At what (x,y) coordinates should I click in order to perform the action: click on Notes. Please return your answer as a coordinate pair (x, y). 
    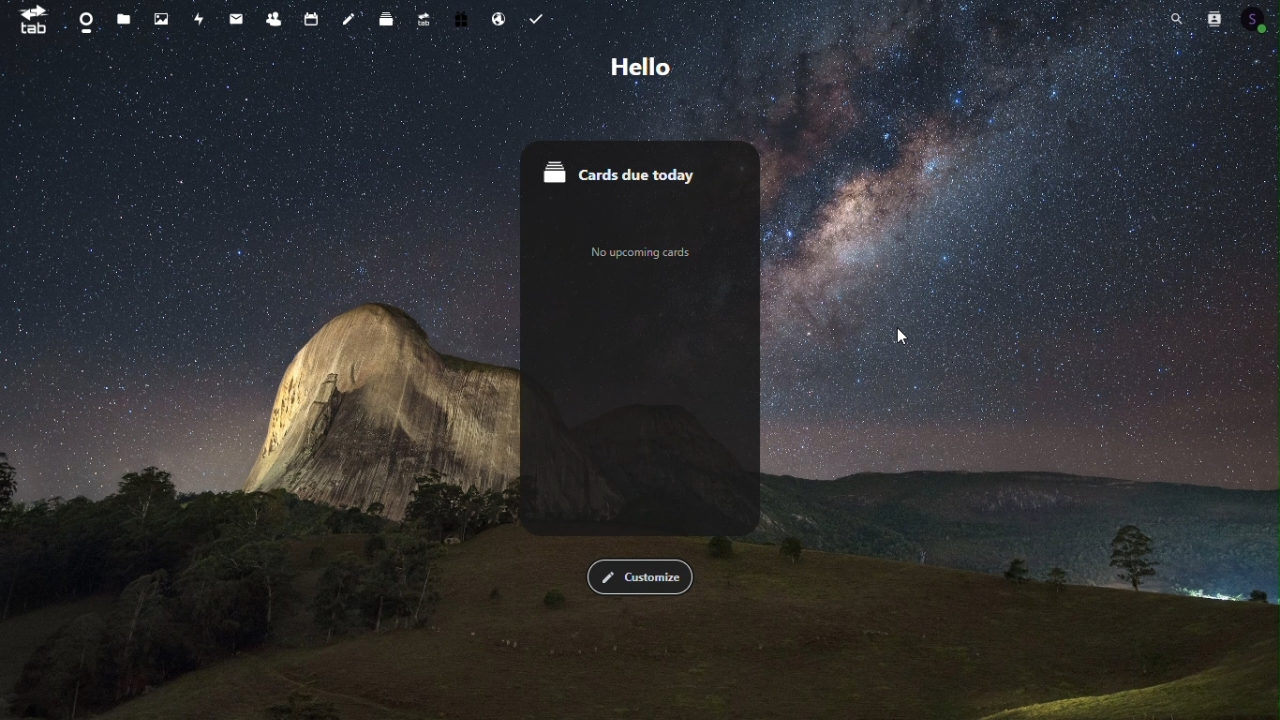
    Looking at the image, I should click on (352, 18).